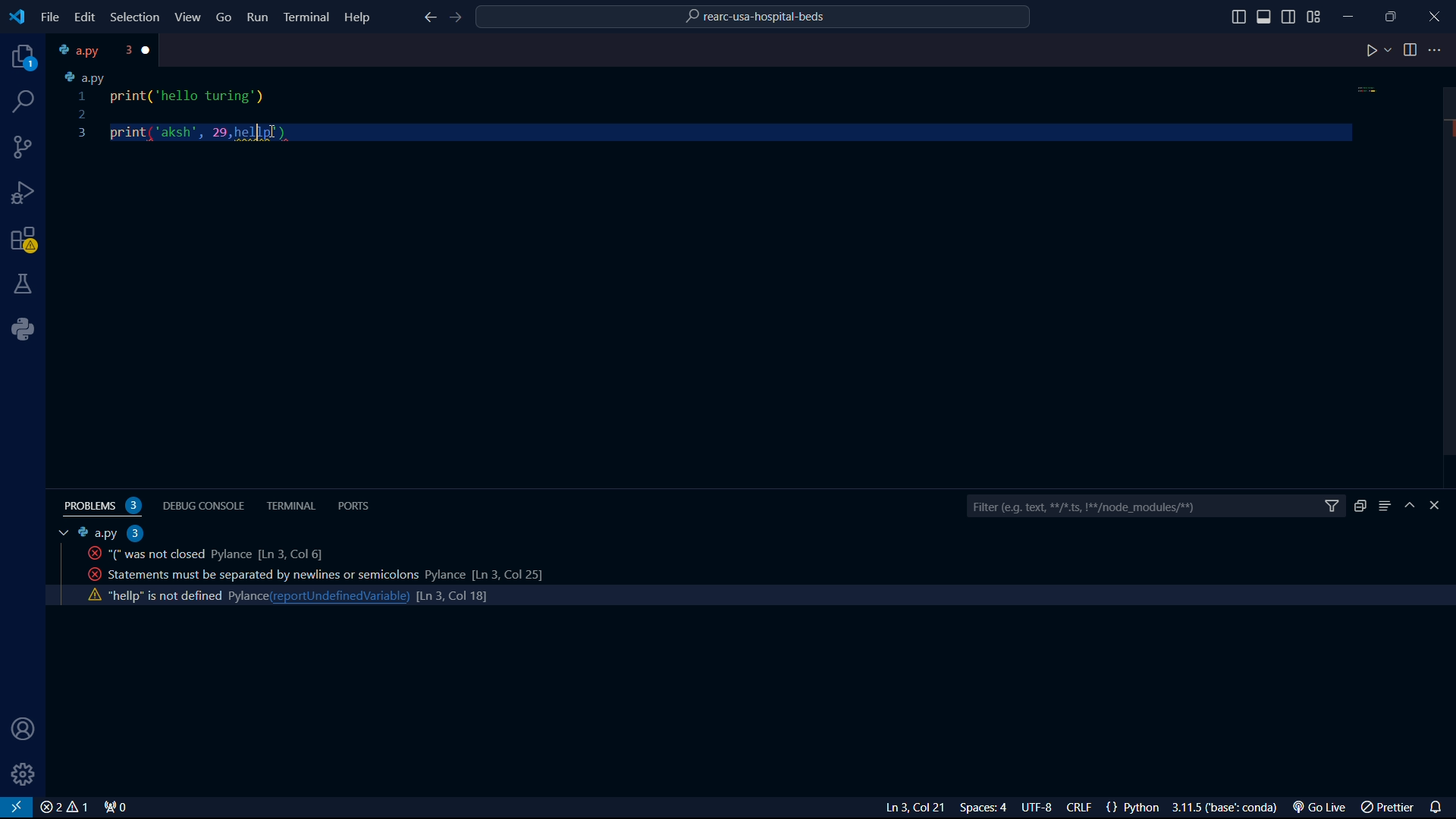  I want to click on reportundefinedvariable, so click(341, 596).